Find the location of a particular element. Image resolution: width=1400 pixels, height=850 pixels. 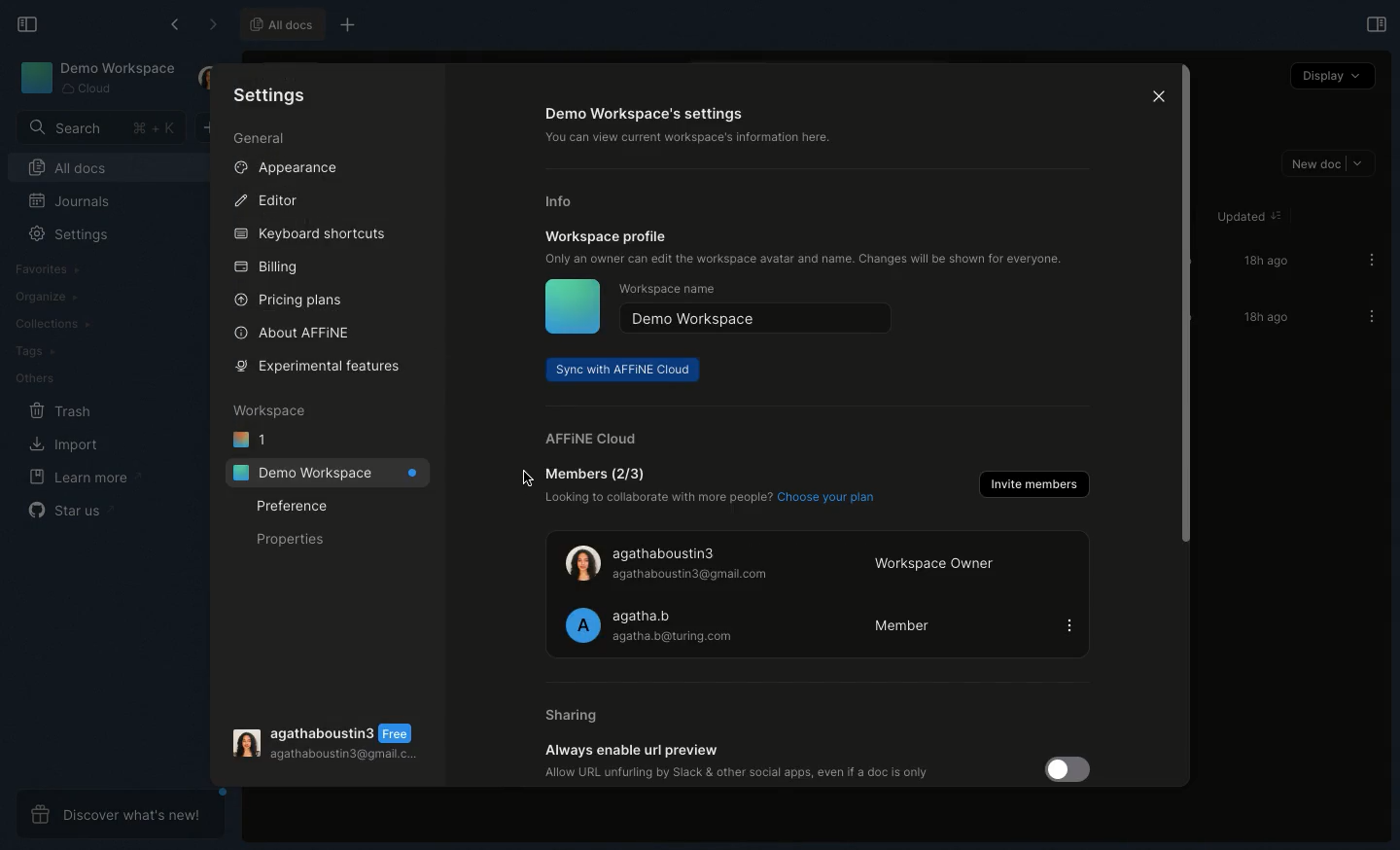

Search is located at coordinates (96, 127).